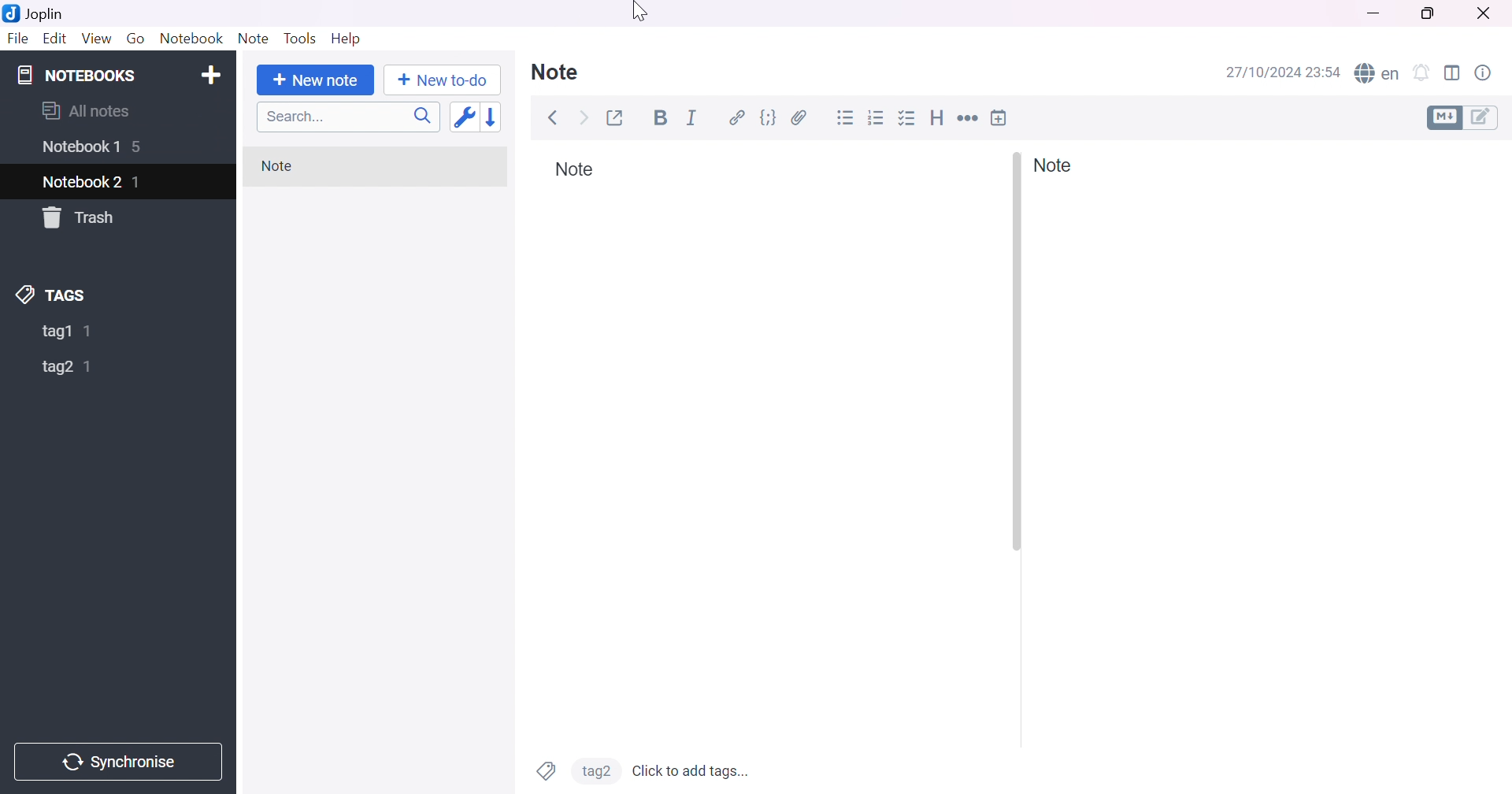 The image size is (1512, 794). Describe the element at coordinates (140, 182) in the screenshot. I see `1` at that location.